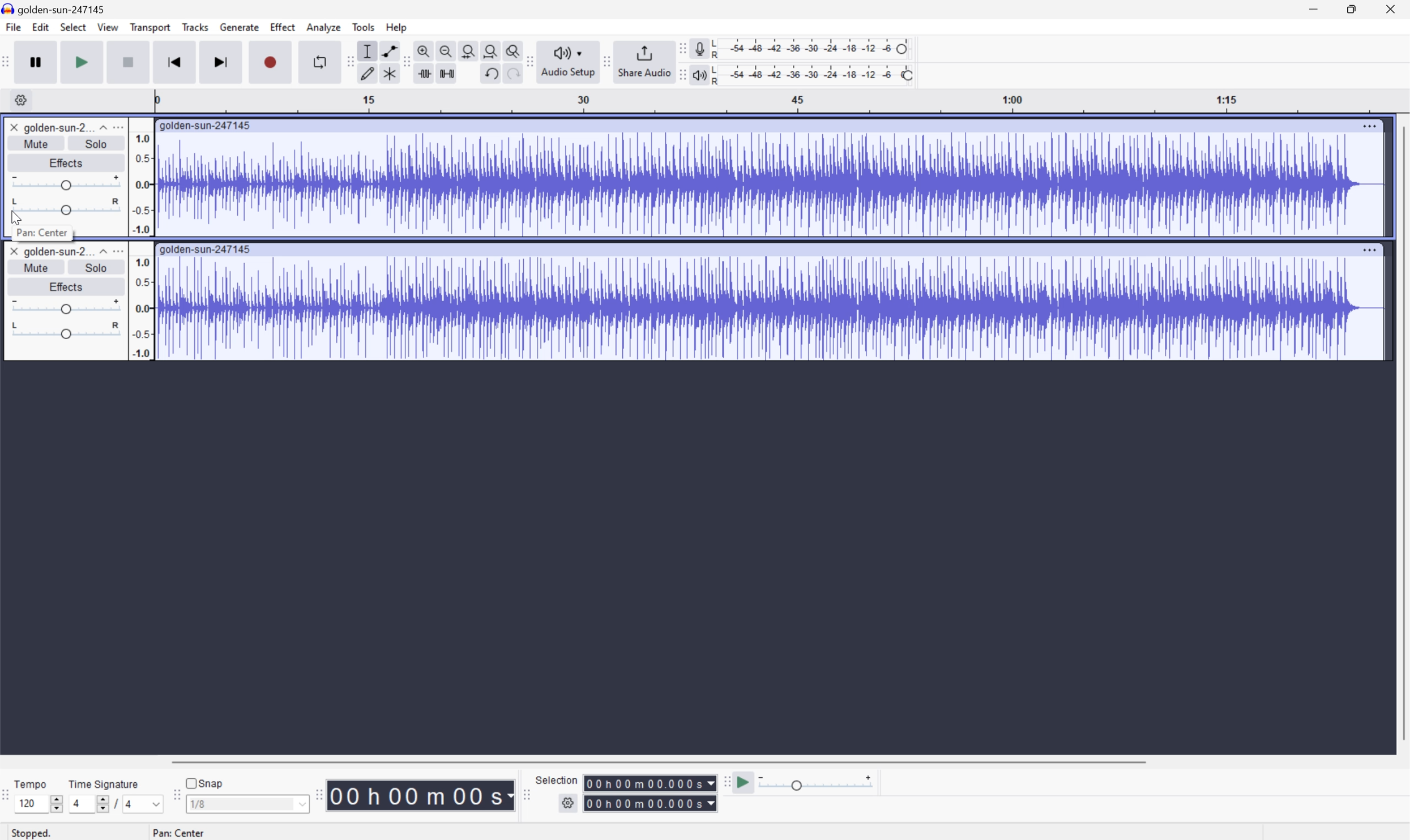 This screenshot has width=1410, height=840. I want to click on Zoom out, so click(447, 50).